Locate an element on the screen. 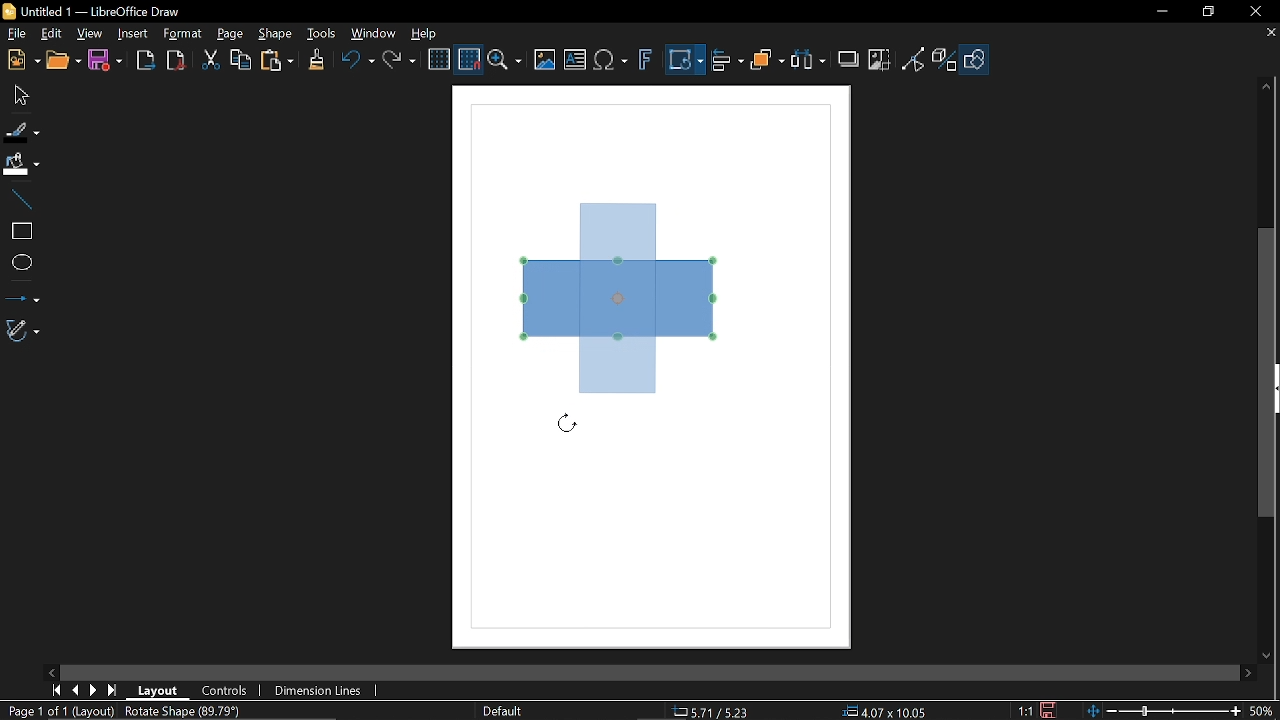  Rotate Shape (89.79 degrees) is located at coordinates (182, 711).